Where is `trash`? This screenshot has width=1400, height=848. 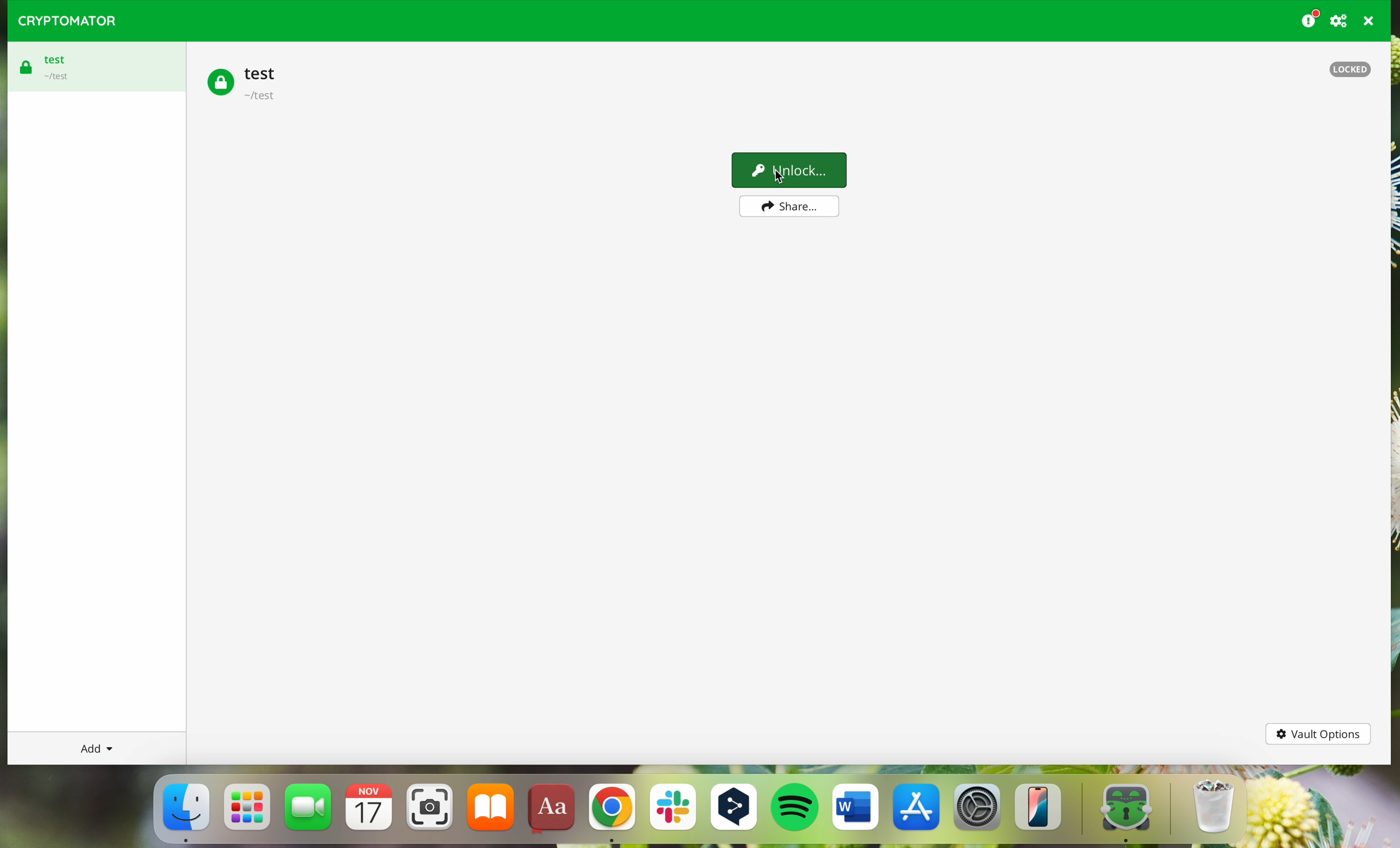
trash is located at coordinates (1211, 811).